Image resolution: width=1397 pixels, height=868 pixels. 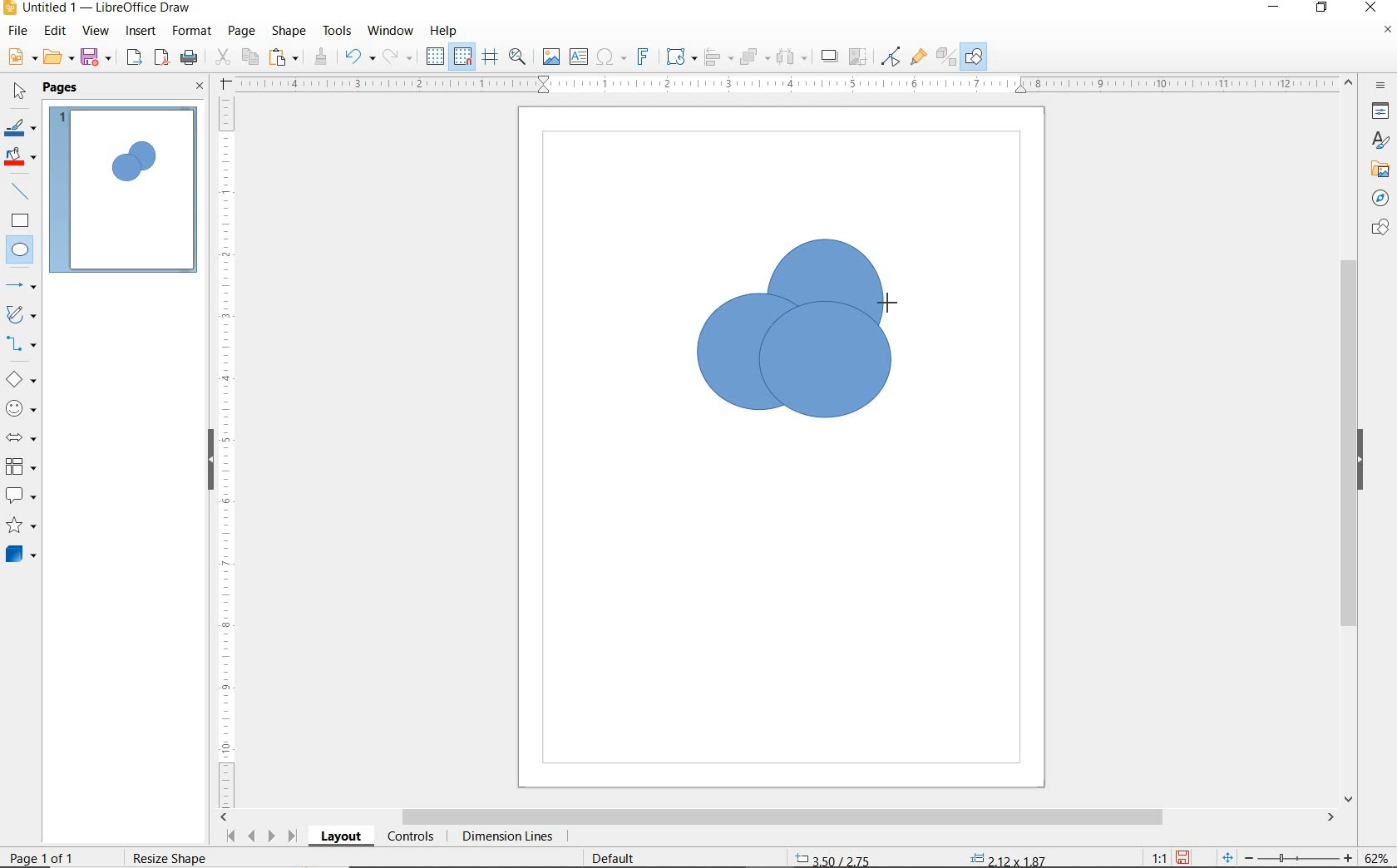 What do you see at coordinates (22, 382) in the screenshot?
I see `BASIC SHAPES` at bounding box center [22, 382].